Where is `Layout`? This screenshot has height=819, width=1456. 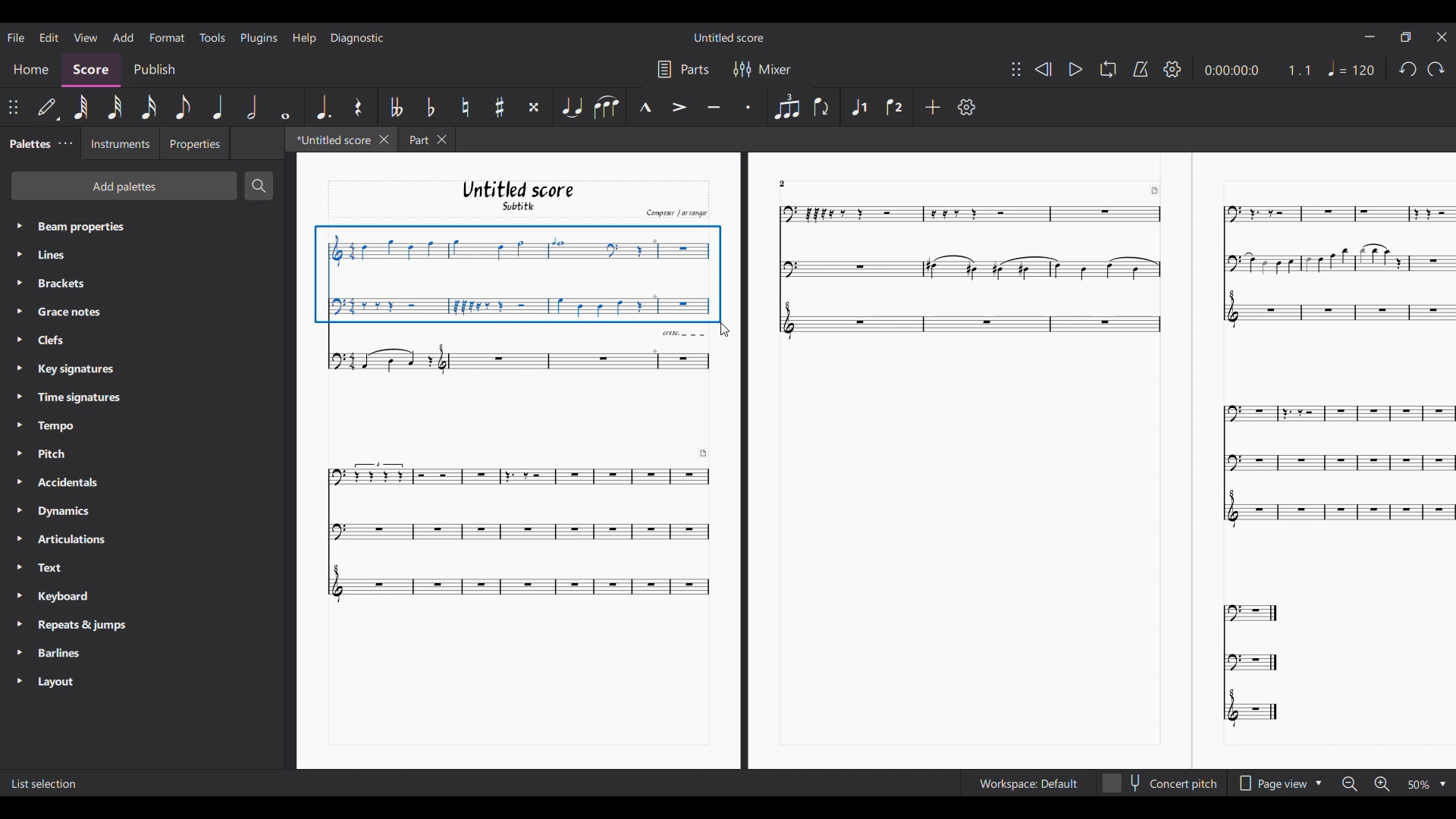 Layout is located at coordinates (61, 682).